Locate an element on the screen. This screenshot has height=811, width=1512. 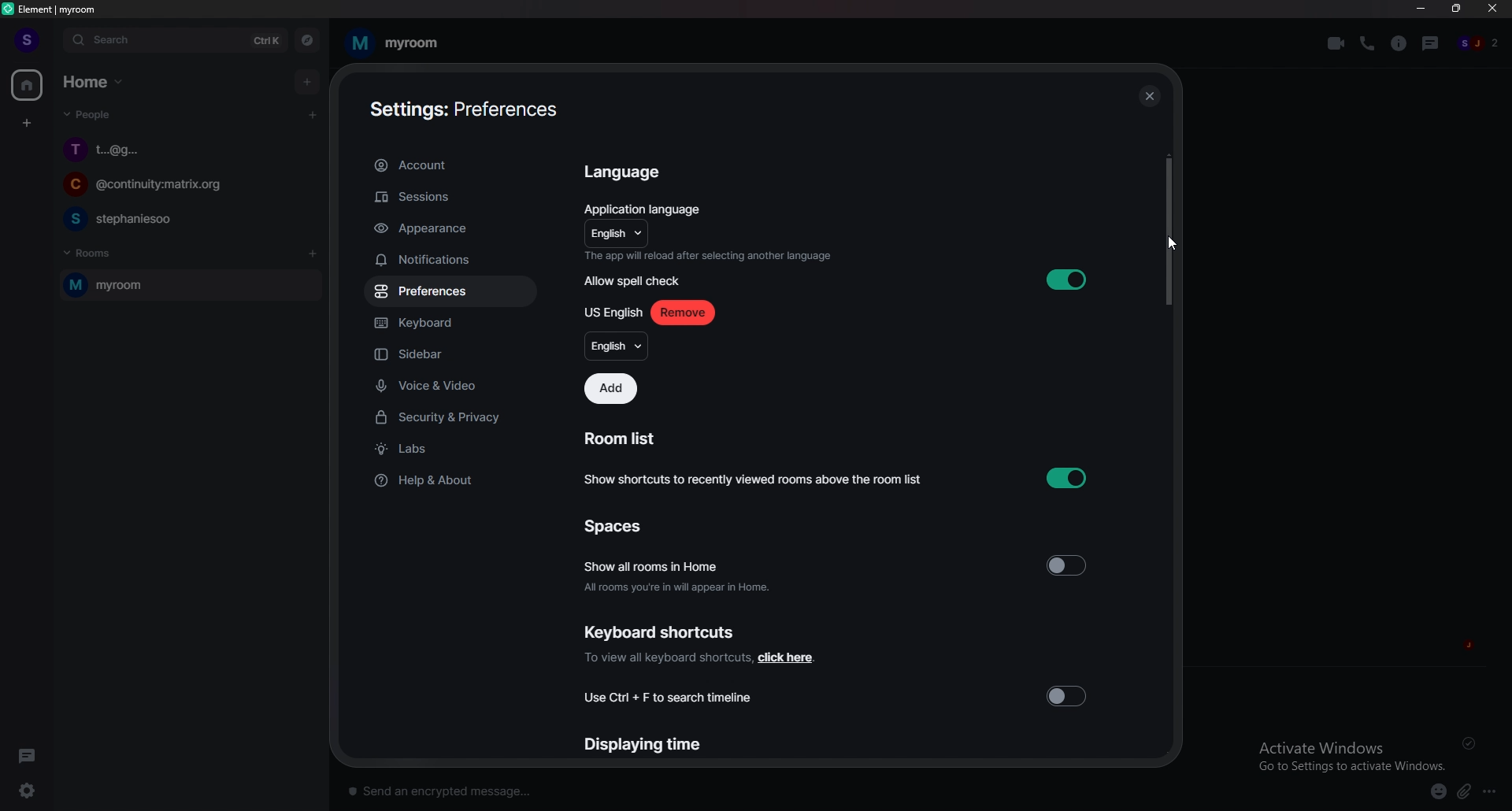
voice and video is located at coordinates (454, 385).